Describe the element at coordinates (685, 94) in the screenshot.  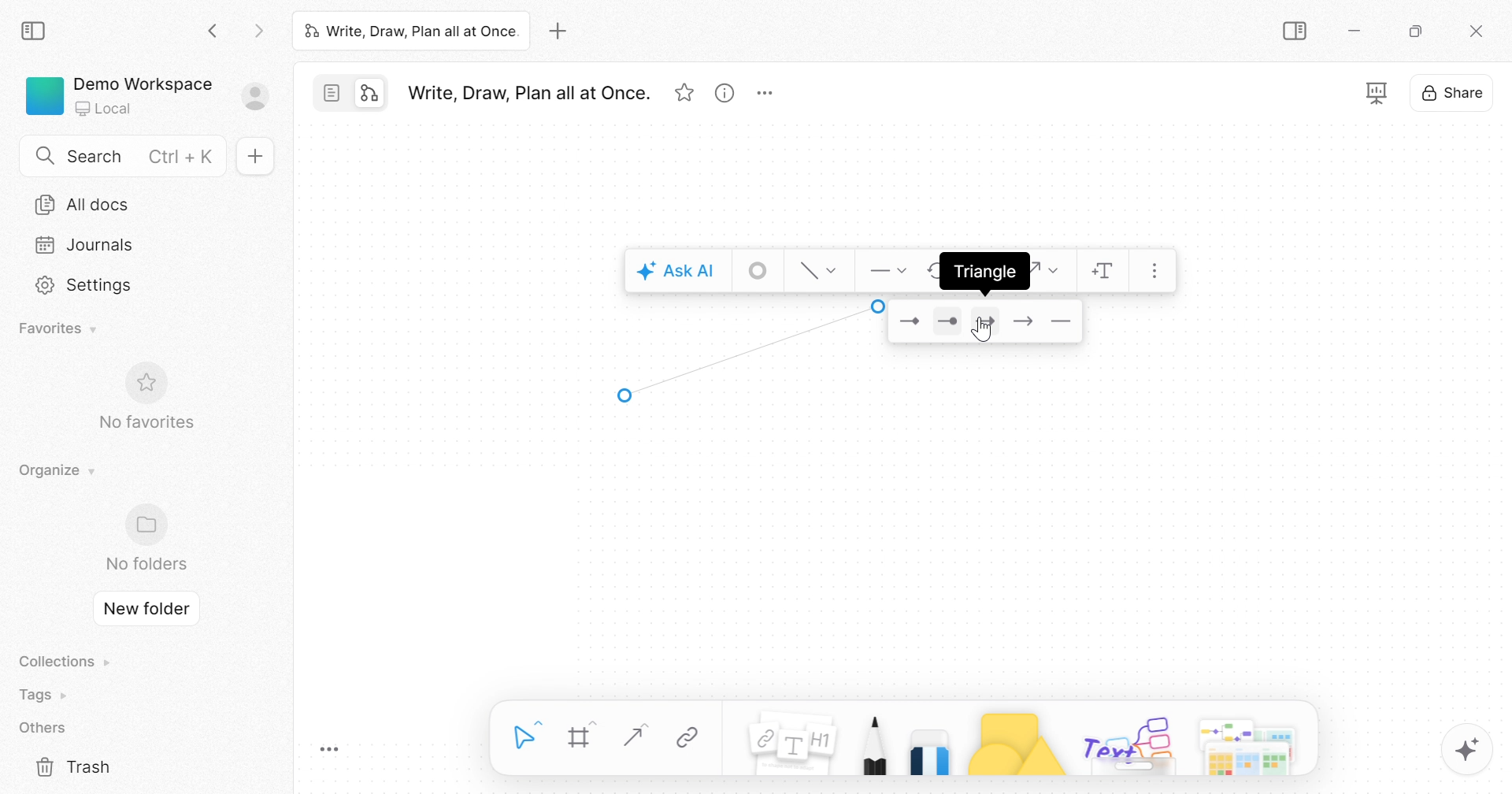
I see `Favorites` at that location.